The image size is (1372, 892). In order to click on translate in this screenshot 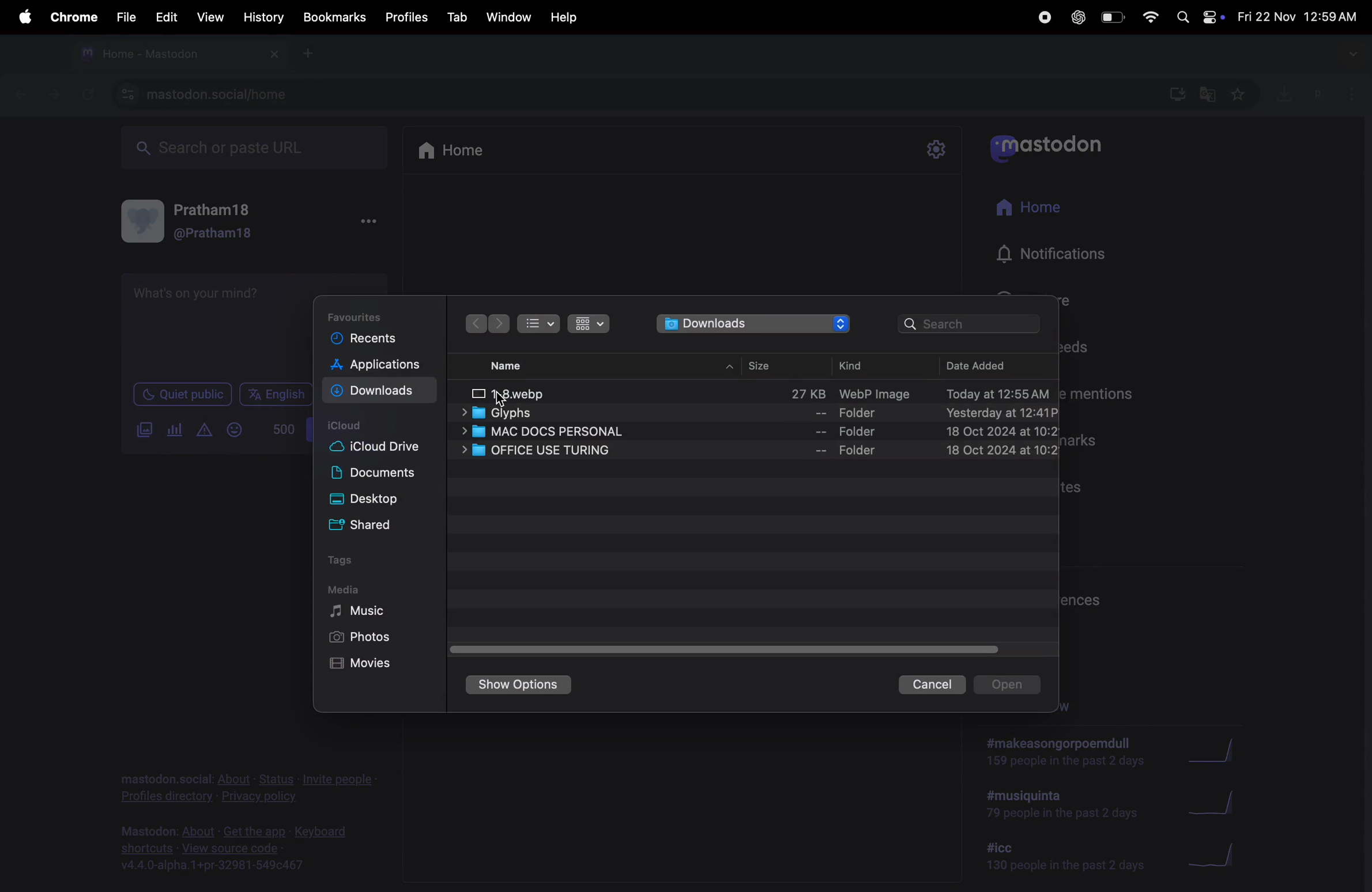, I will do `click(1208, 93)`.